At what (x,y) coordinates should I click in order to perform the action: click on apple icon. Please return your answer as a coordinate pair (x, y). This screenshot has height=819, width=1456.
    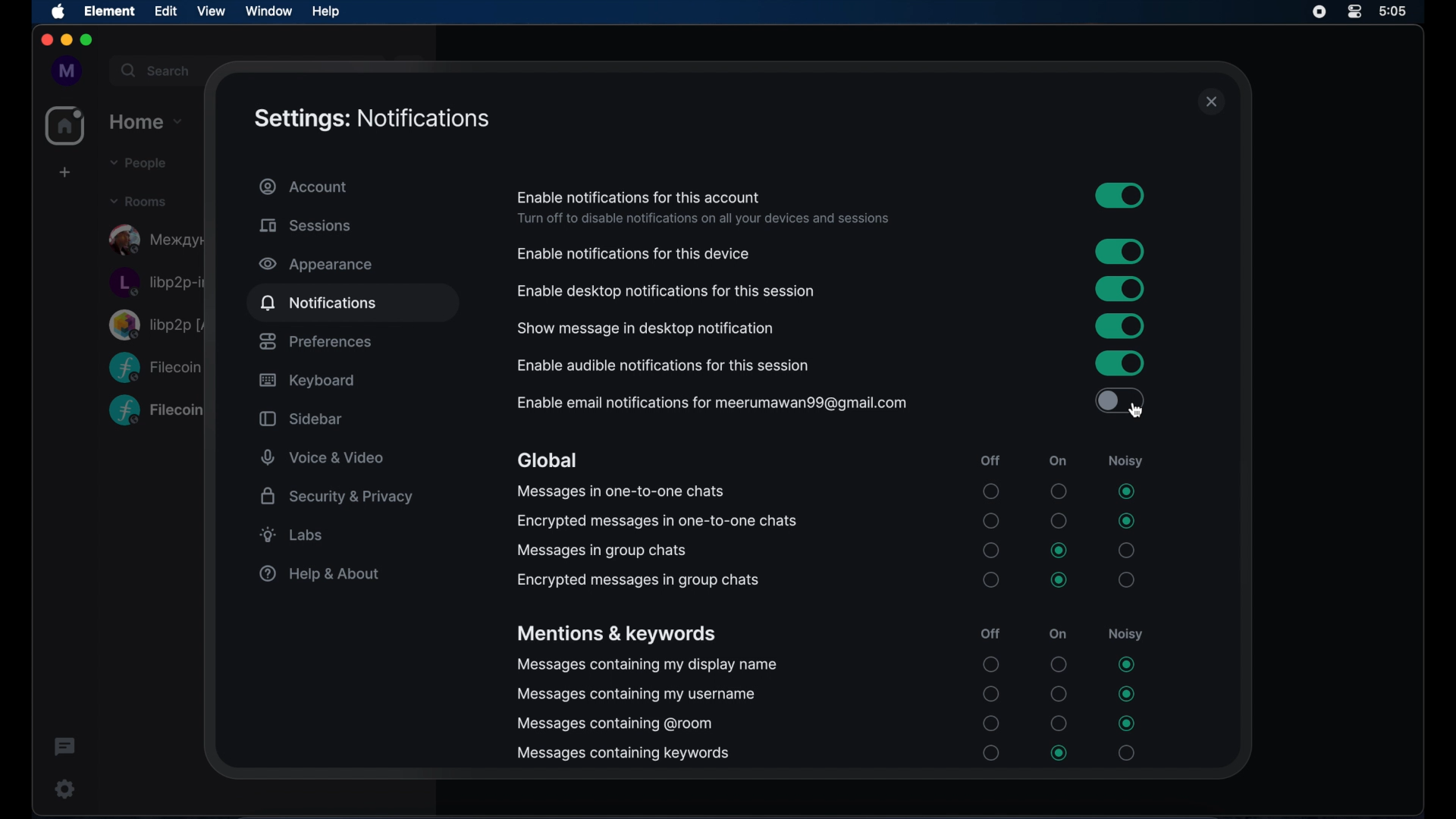
    Looking at the image, I should click on (59, 12).